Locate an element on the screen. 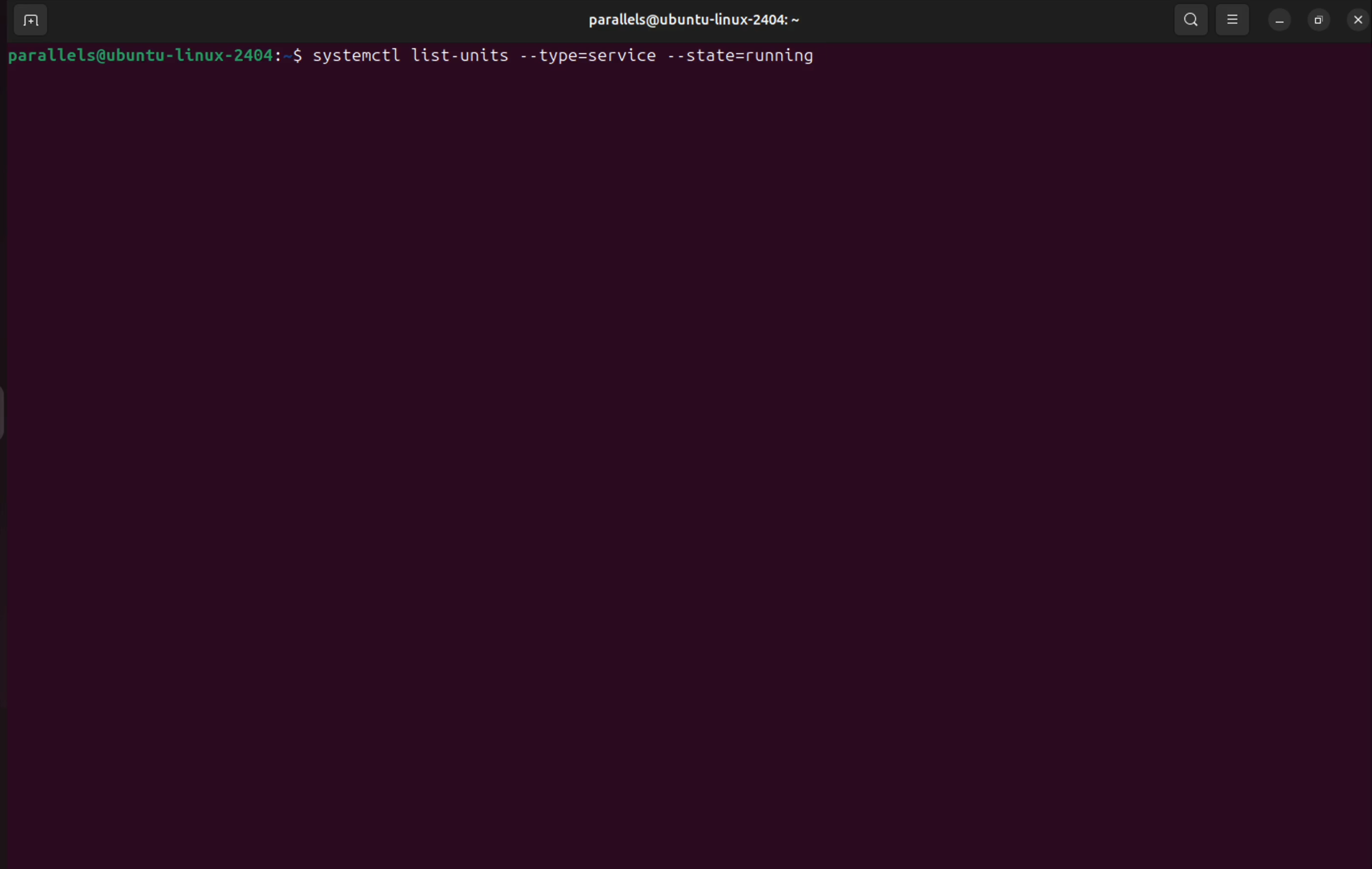  search is located at coordinates (1190, 19).